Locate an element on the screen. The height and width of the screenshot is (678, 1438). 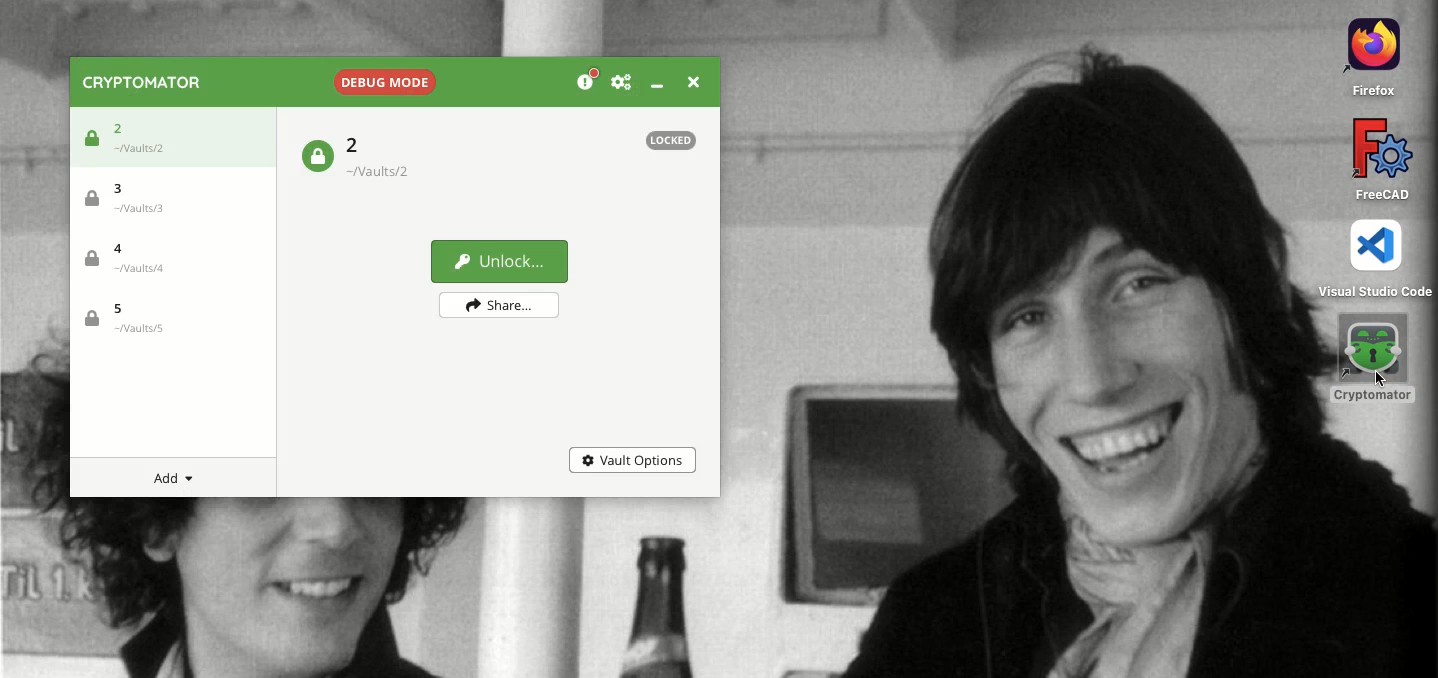
desktop background image is located at coordinates (1018, 339).